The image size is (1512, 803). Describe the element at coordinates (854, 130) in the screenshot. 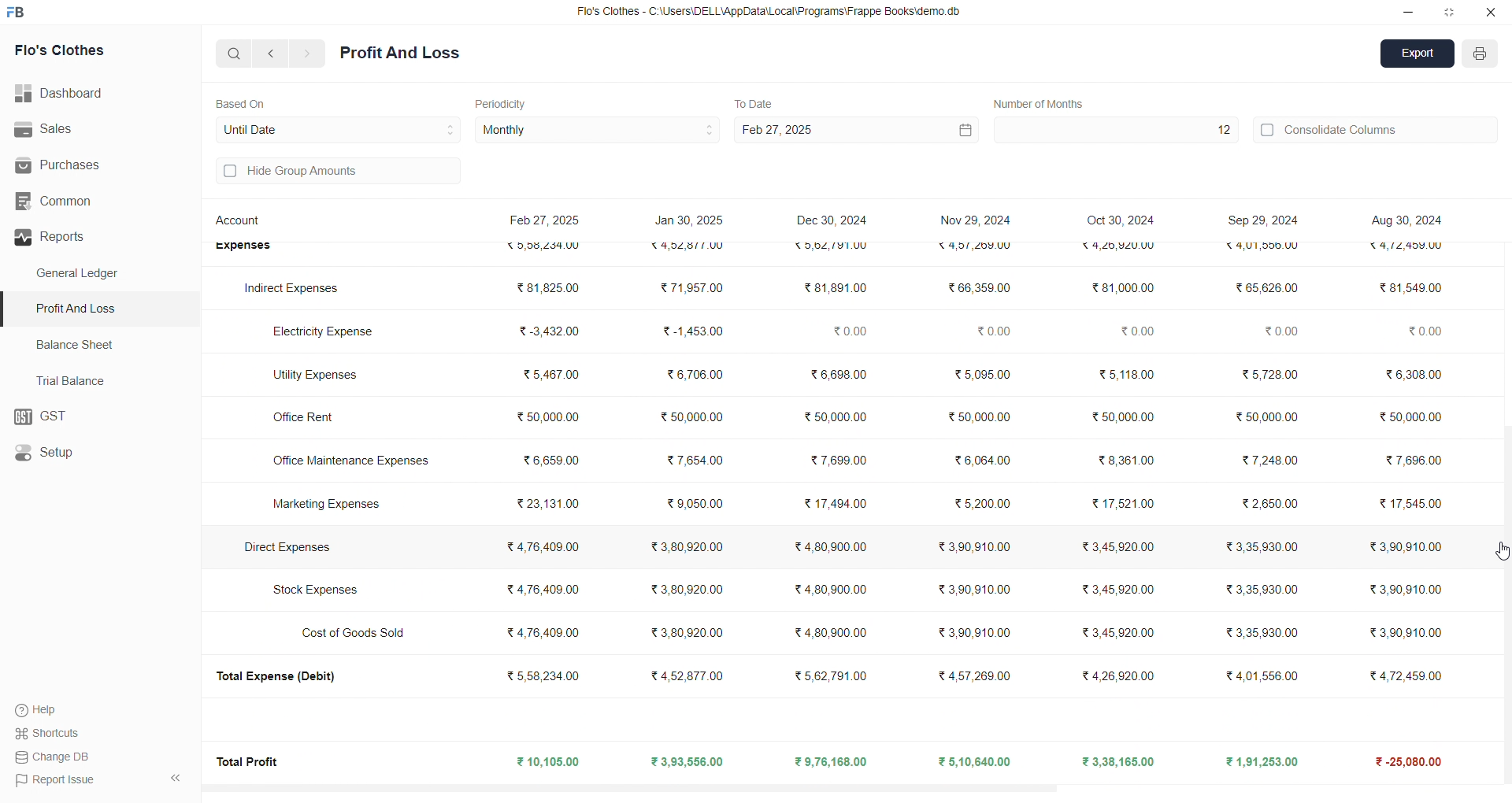

I see `Feb 27, 2025` at that location.